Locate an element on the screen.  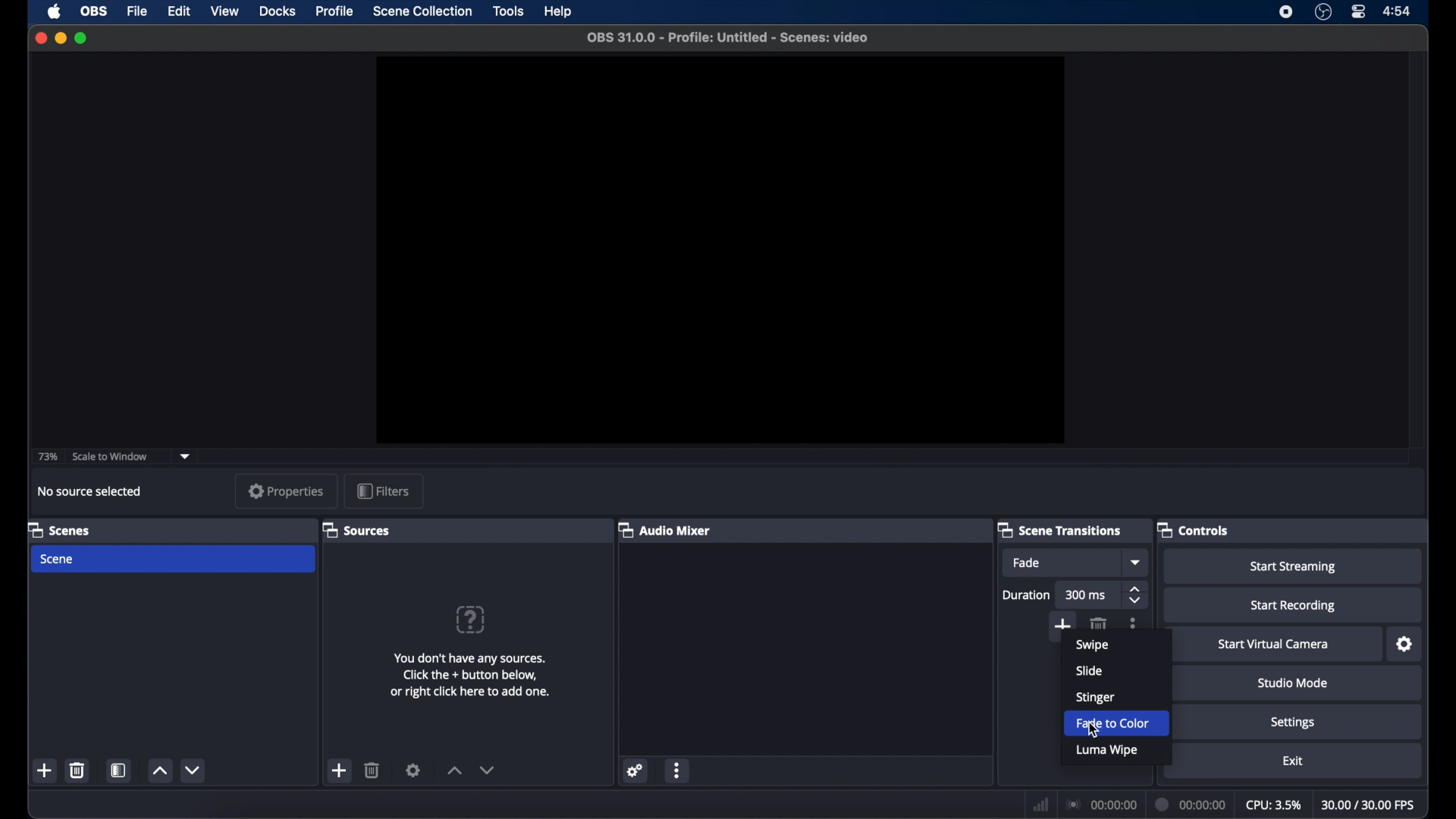
audio mixer is located at coordinates (664, 529).